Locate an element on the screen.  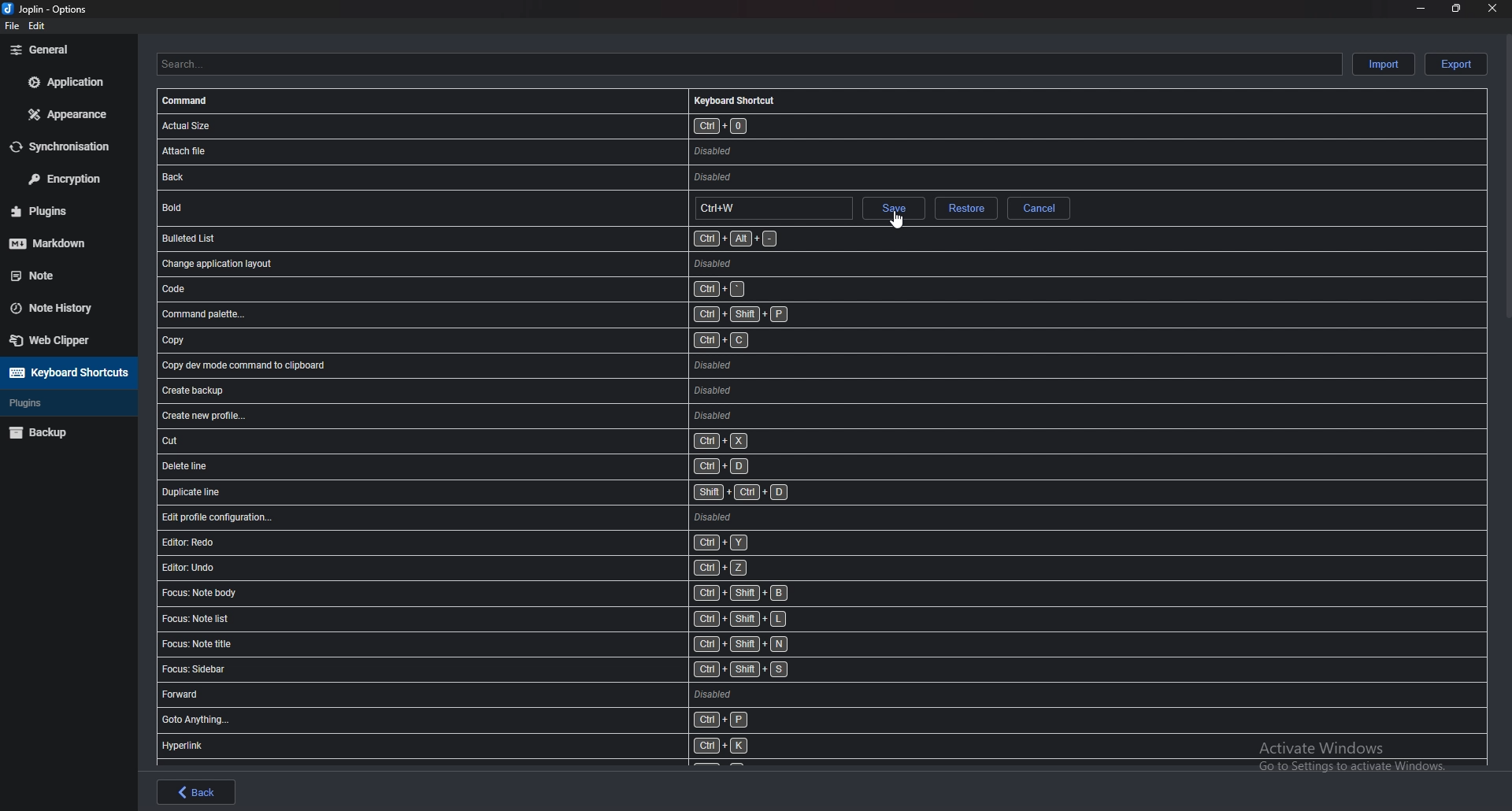
shortcut is located at coordinates (495, 313).